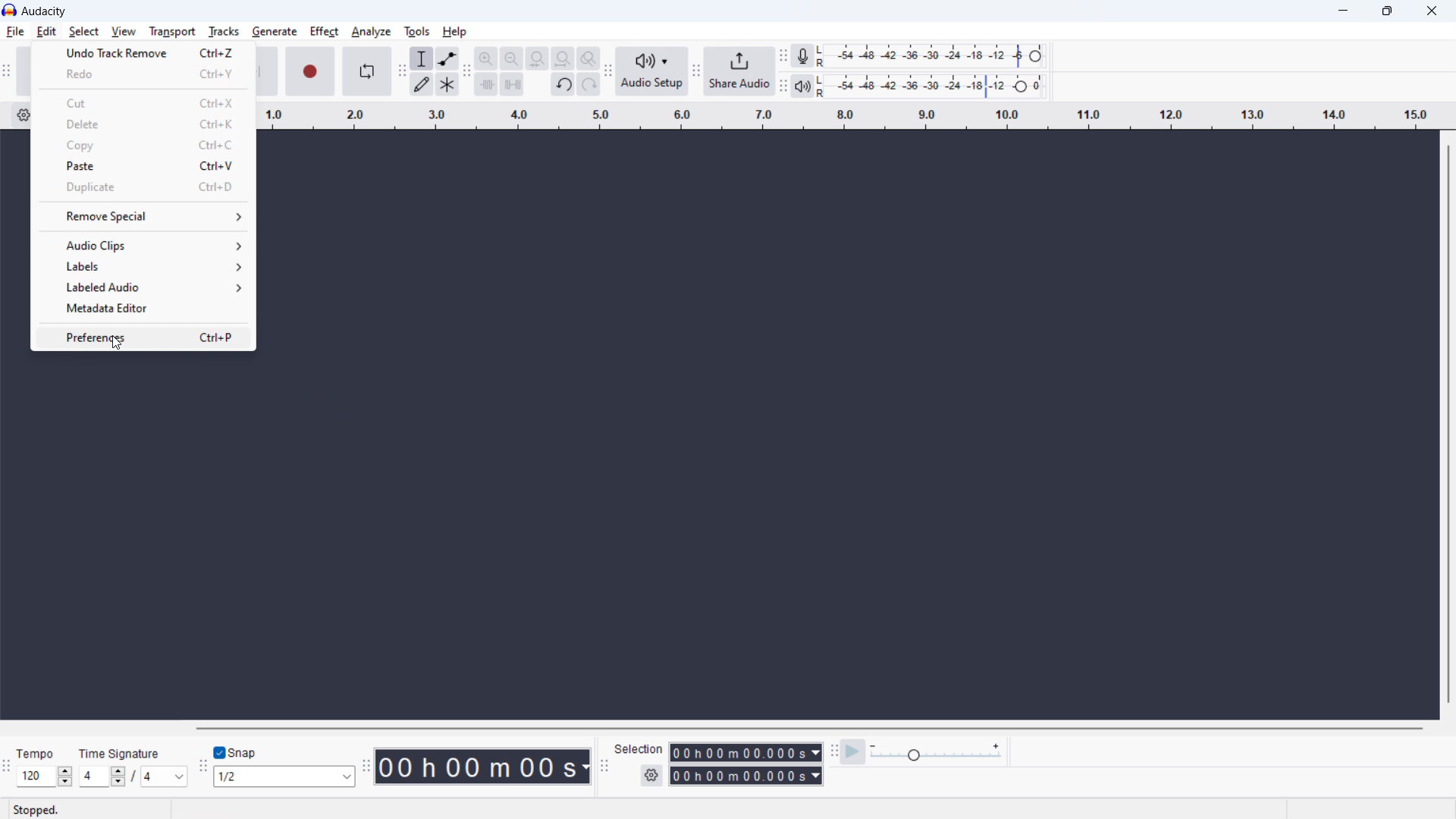 The width and height of the screenshot is (1456, 819). Describe the element at coordinates (697, 72) in the screenshot. I see `share audio toolbar` at that location.